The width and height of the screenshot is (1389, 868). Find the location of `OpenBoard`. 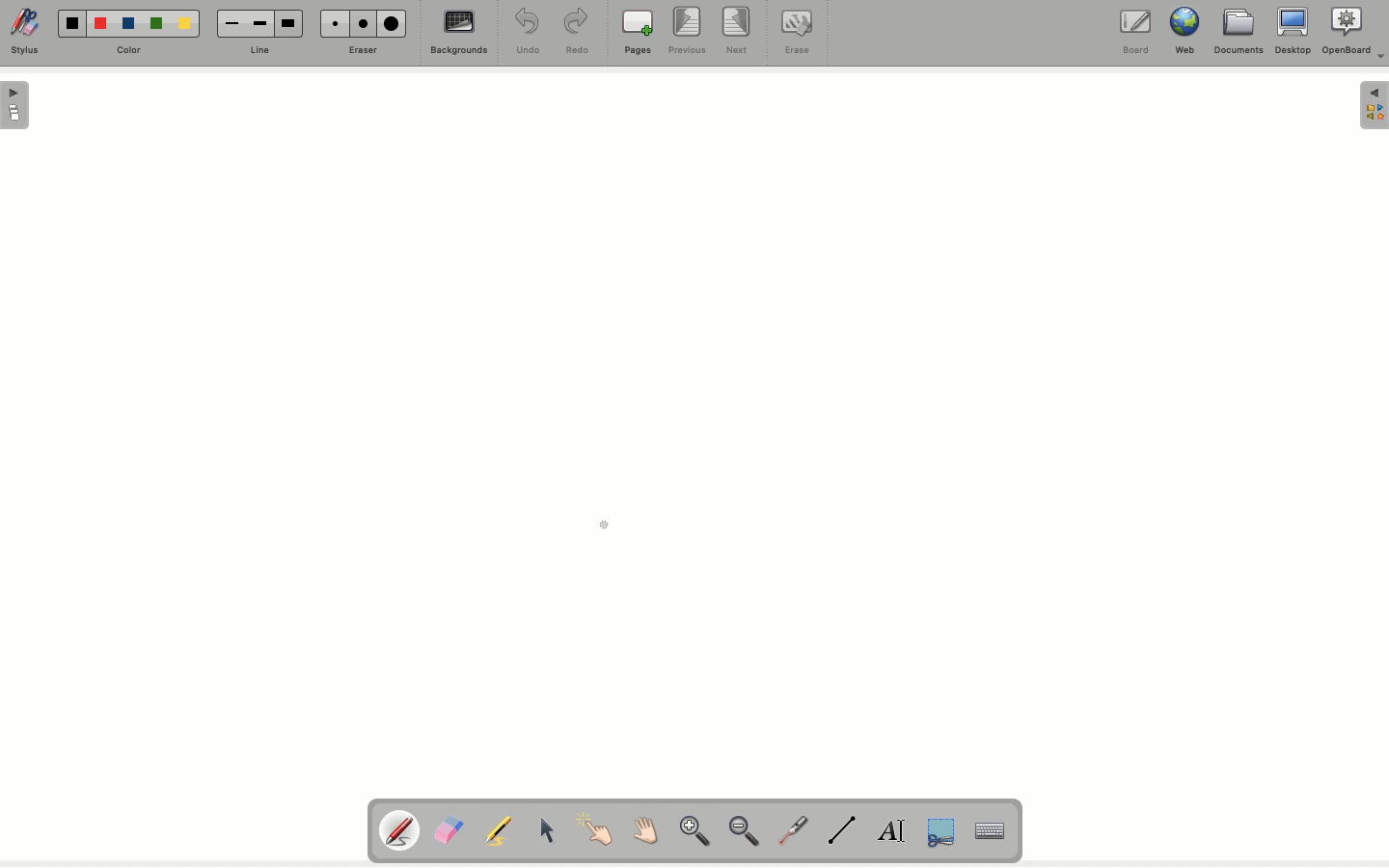

OpenBoard is located at coordinates (1355, 33).